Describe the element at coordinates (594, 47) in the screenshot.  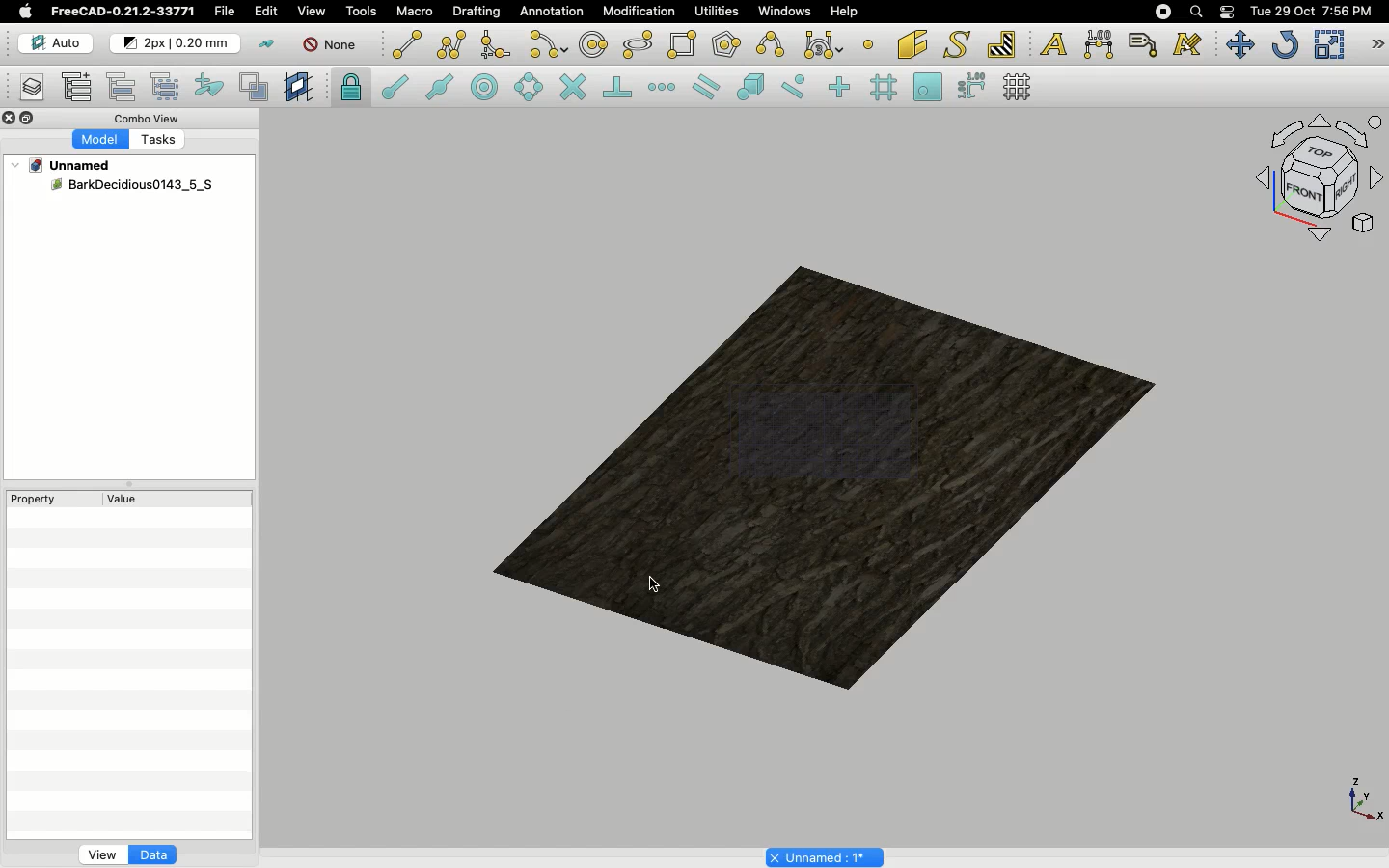
I see `Circle` at that location.